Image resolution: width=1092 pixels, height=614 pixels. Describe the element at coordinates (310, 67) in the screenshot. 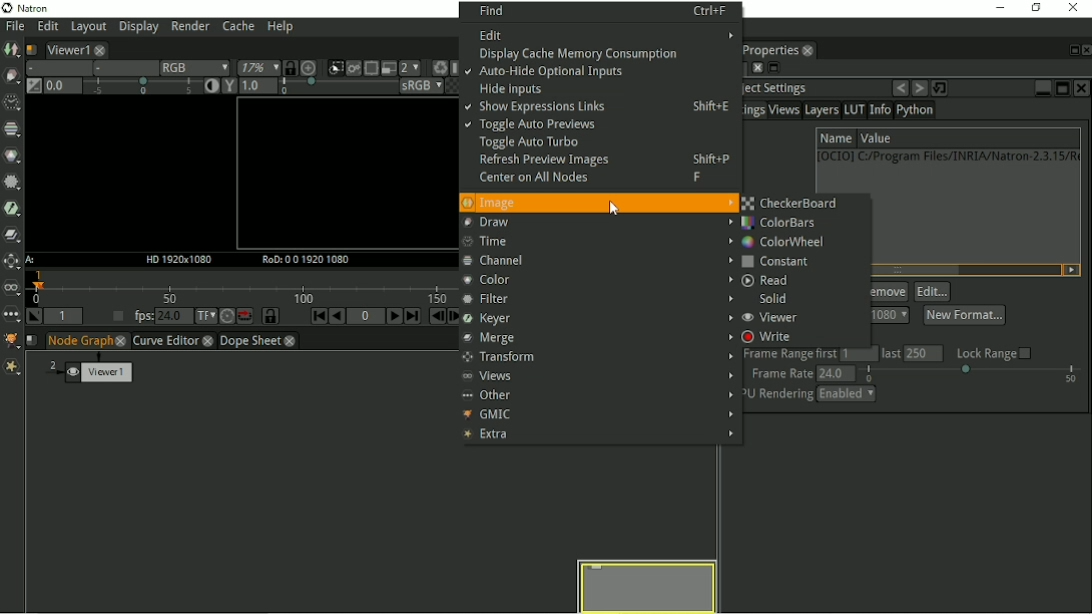

I see `Scale image` at that location.